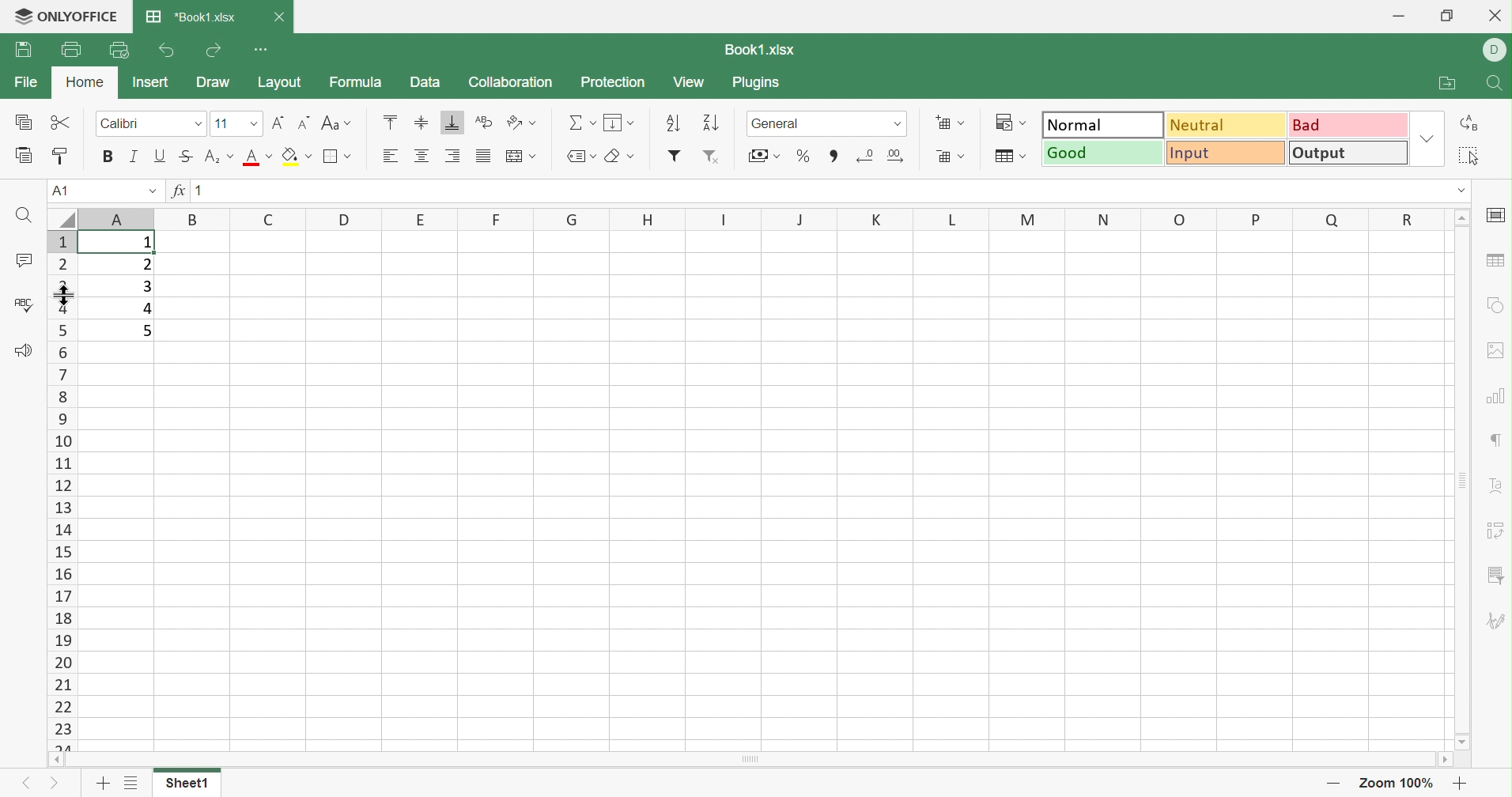 The image size is (1512, 797). Describe the element at coordinates (198, 191) in the screenshot. I see `1` at that location.